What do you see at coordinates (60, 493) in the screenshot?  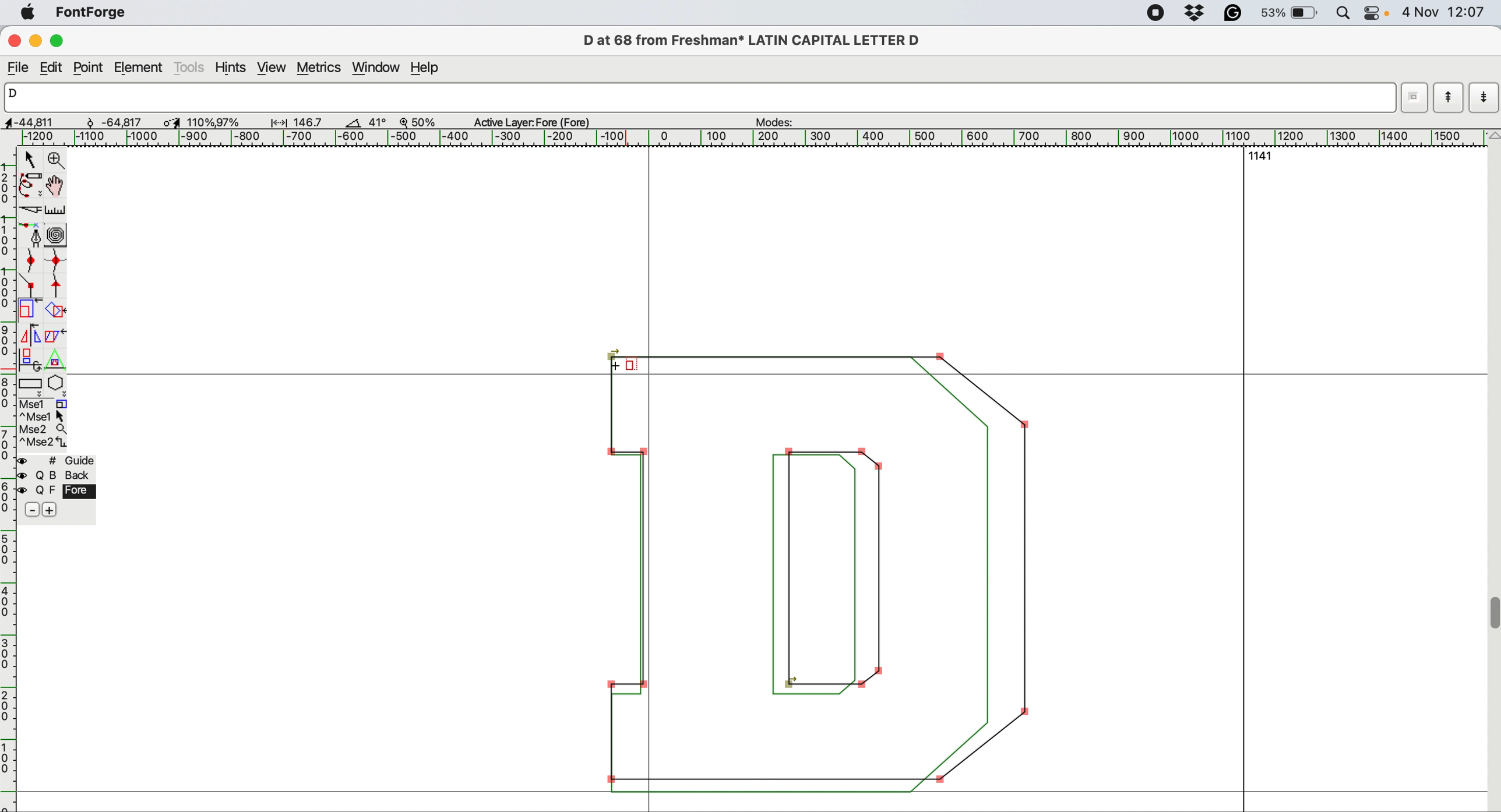 I see `Q F fore` at bounding box center [60, 493].